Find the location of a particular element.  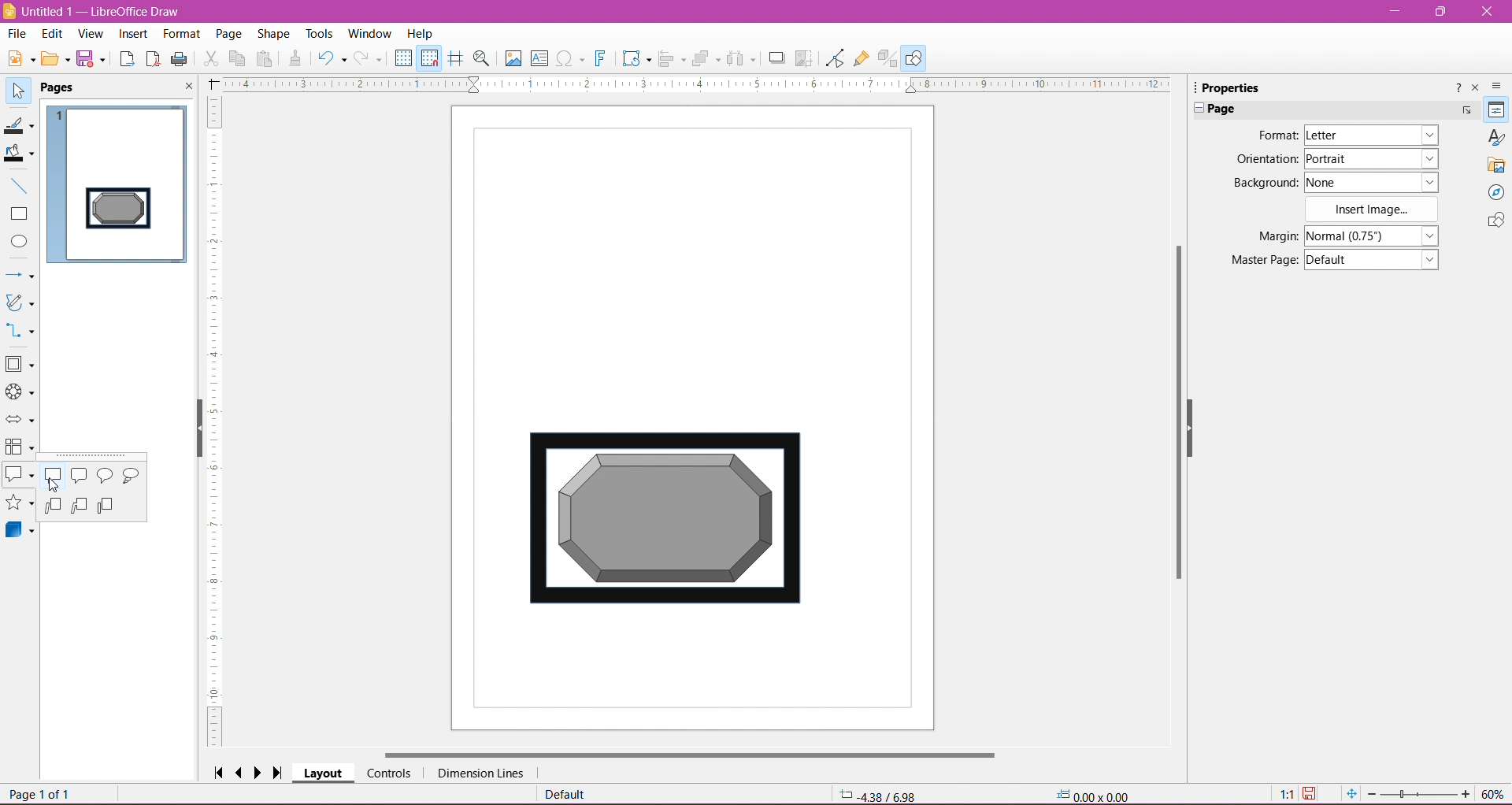

1:1 is located at coordinates (1284, 794).